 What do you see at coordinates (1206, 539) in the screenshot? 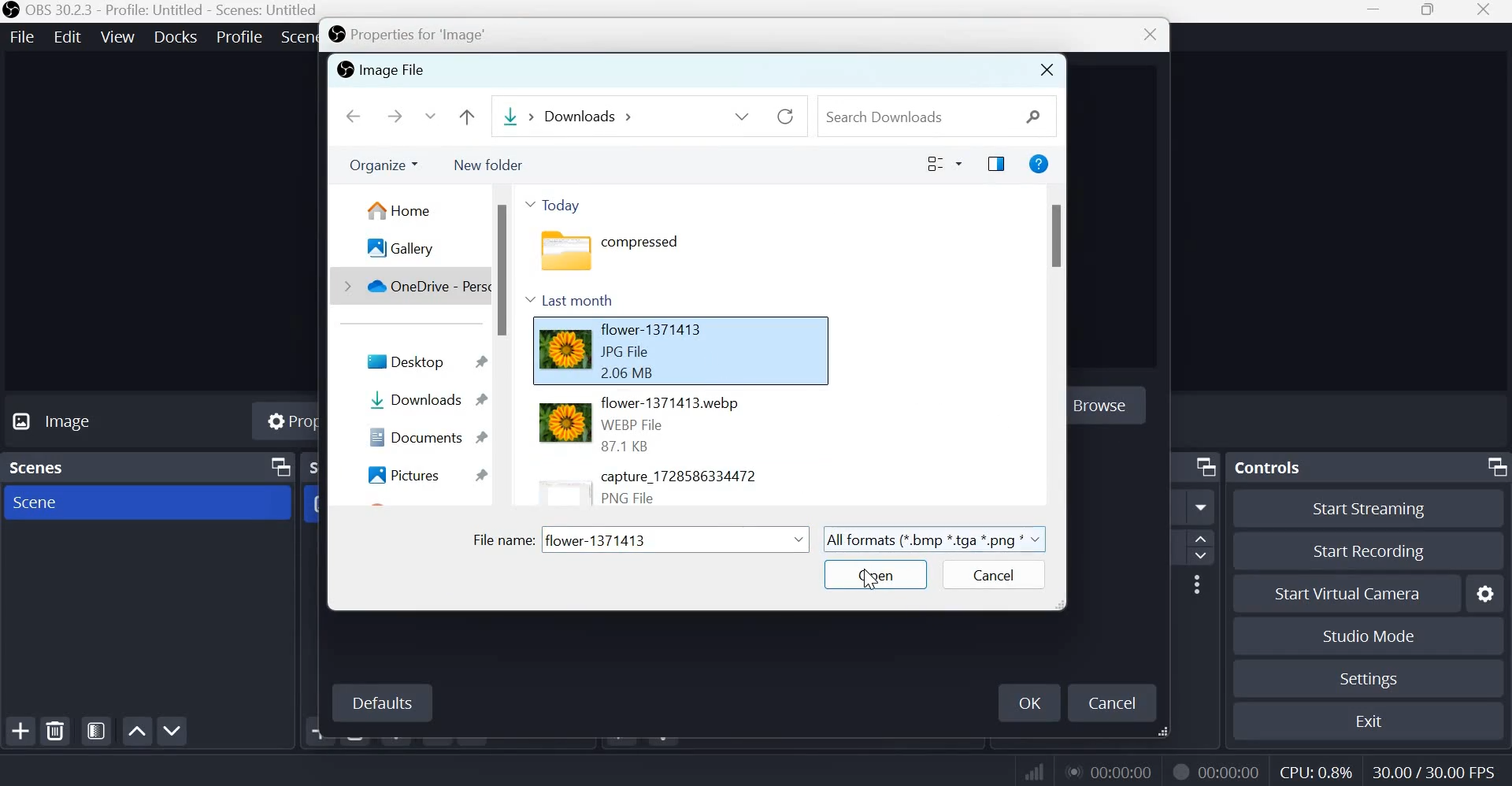
I see `increase` at bounding box center [1206, 539].